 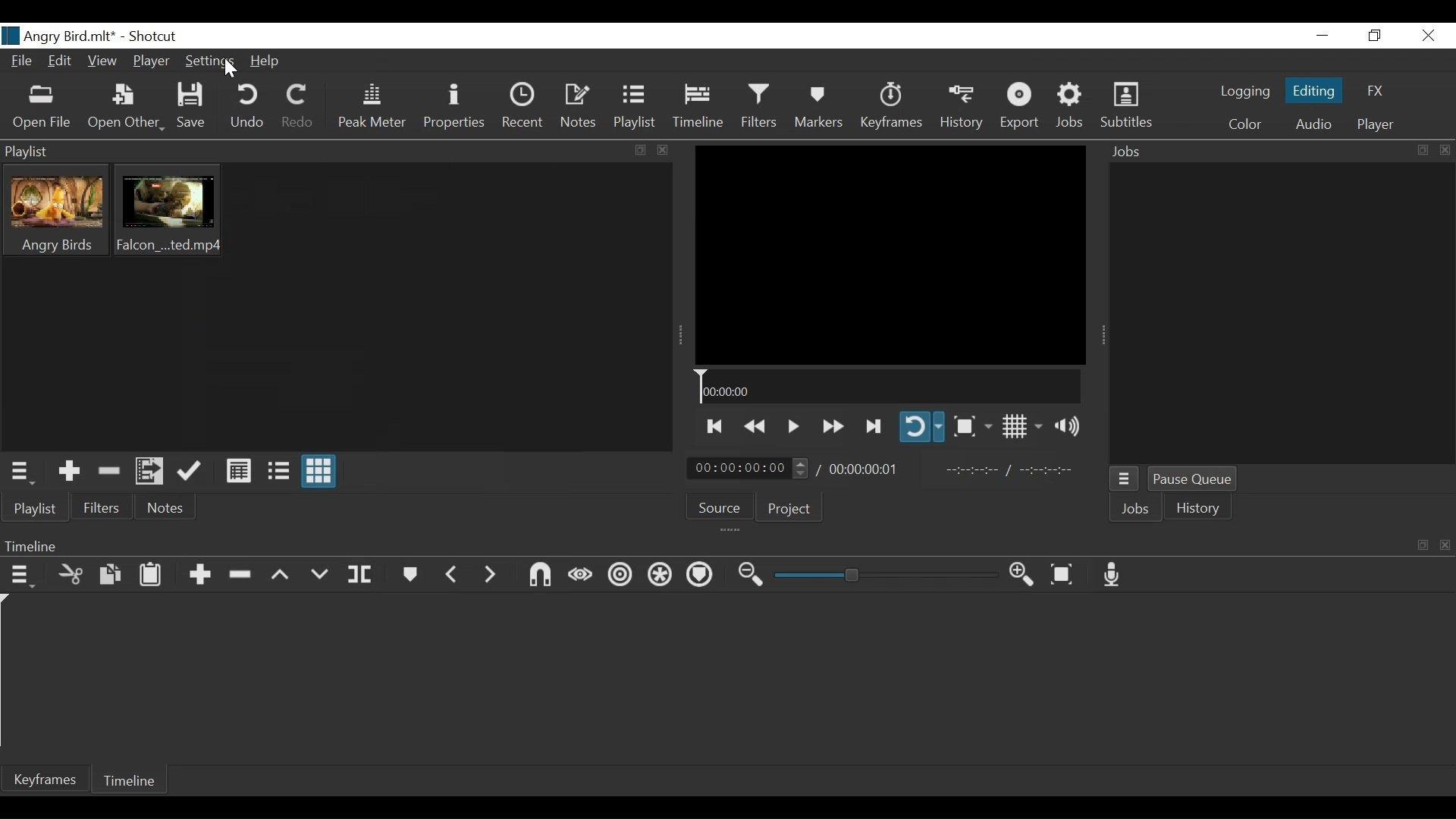 I want to click on Filters, so click(x=104, y=508).